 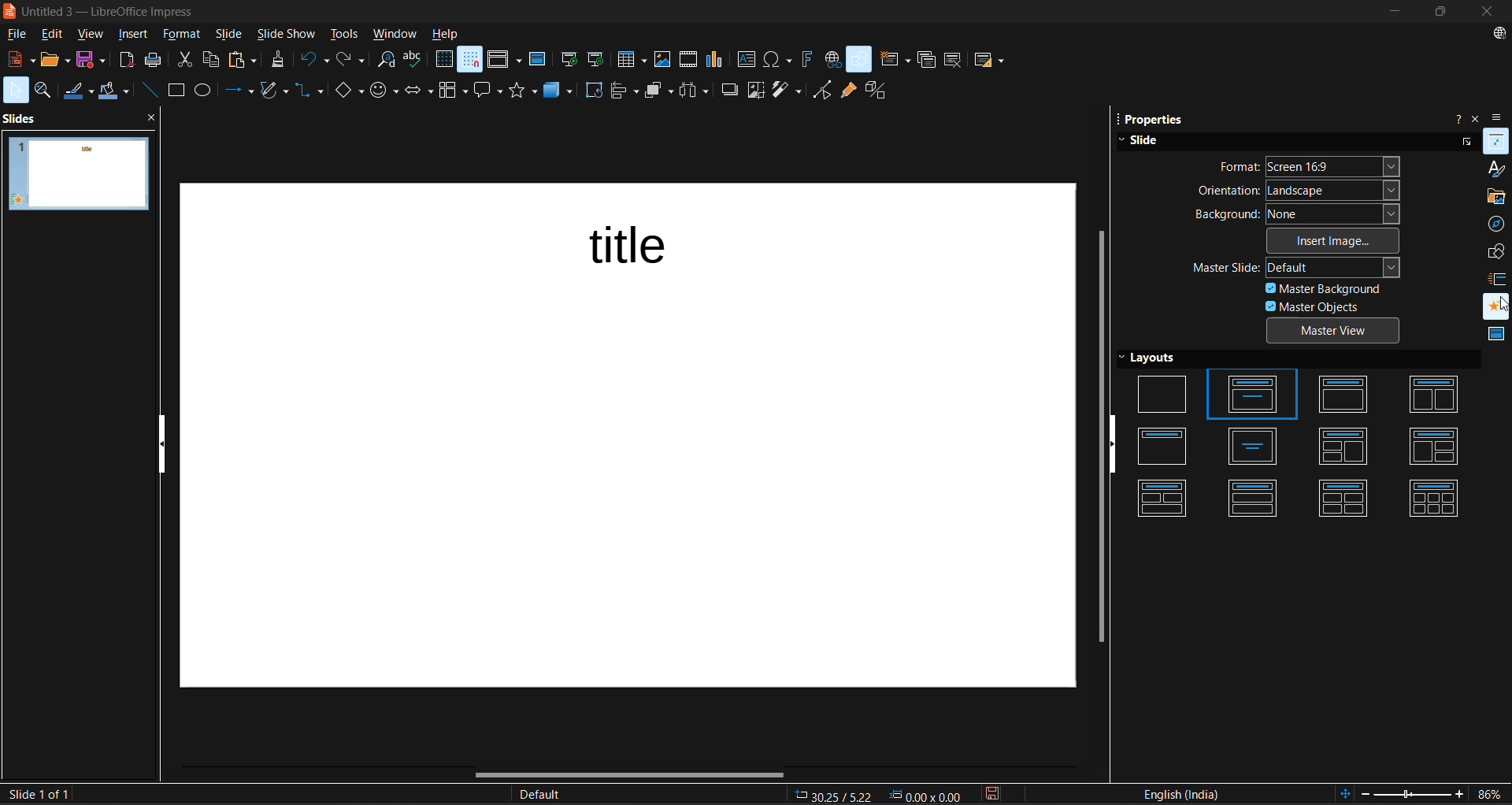 What do you see at coordinates (25, 117) in the screenshot?
I see `slides` at bounding box center [25, 117].